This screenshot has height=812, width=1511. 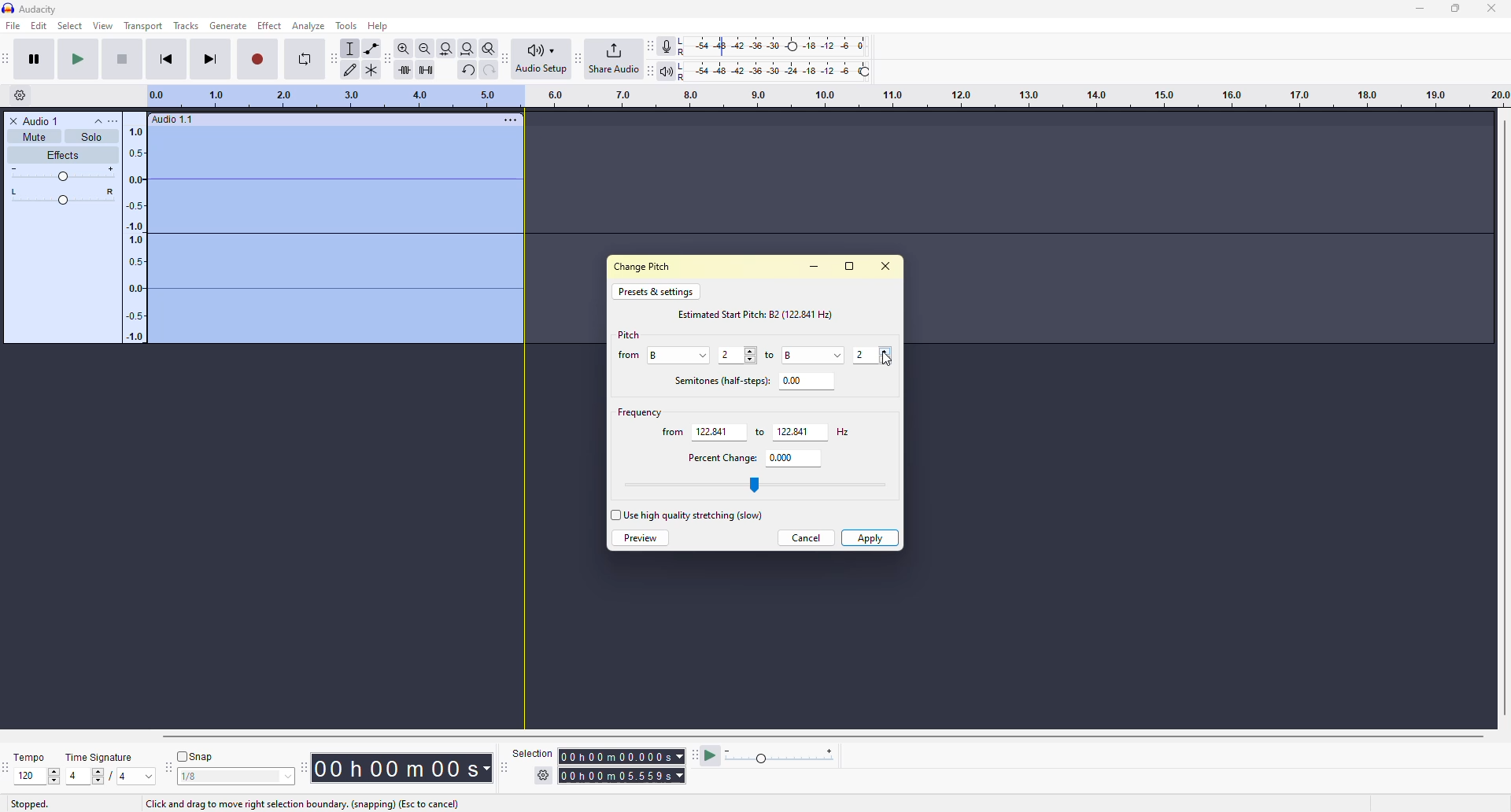 What do you see at coordinates (820, 96) in the screenshot?
I see `click and drag to define looping region` at bounding box center [820, 96].